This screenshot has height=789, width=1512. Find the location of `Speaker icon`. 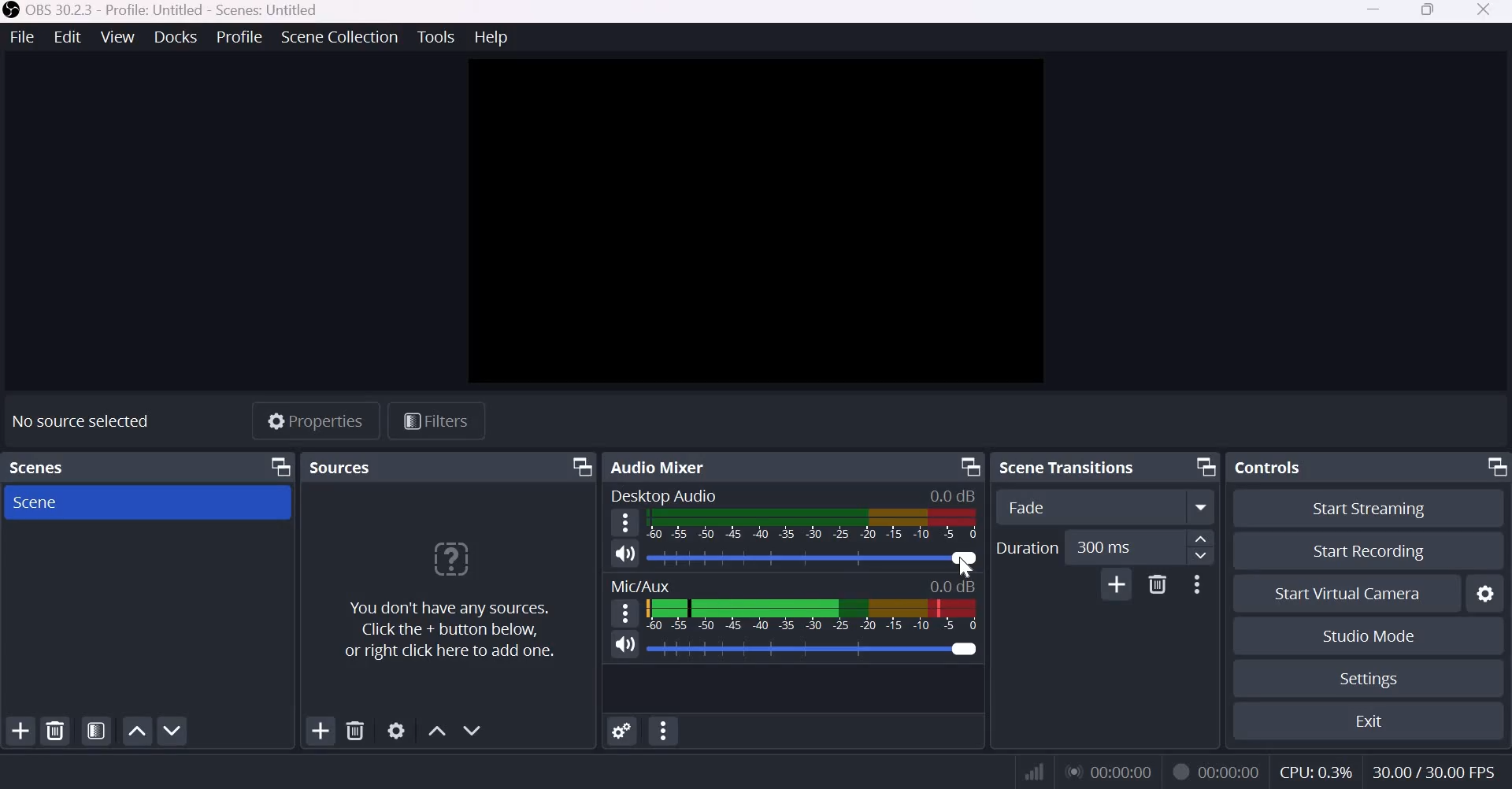

Speaker icon is located at coordinates (625, 555).